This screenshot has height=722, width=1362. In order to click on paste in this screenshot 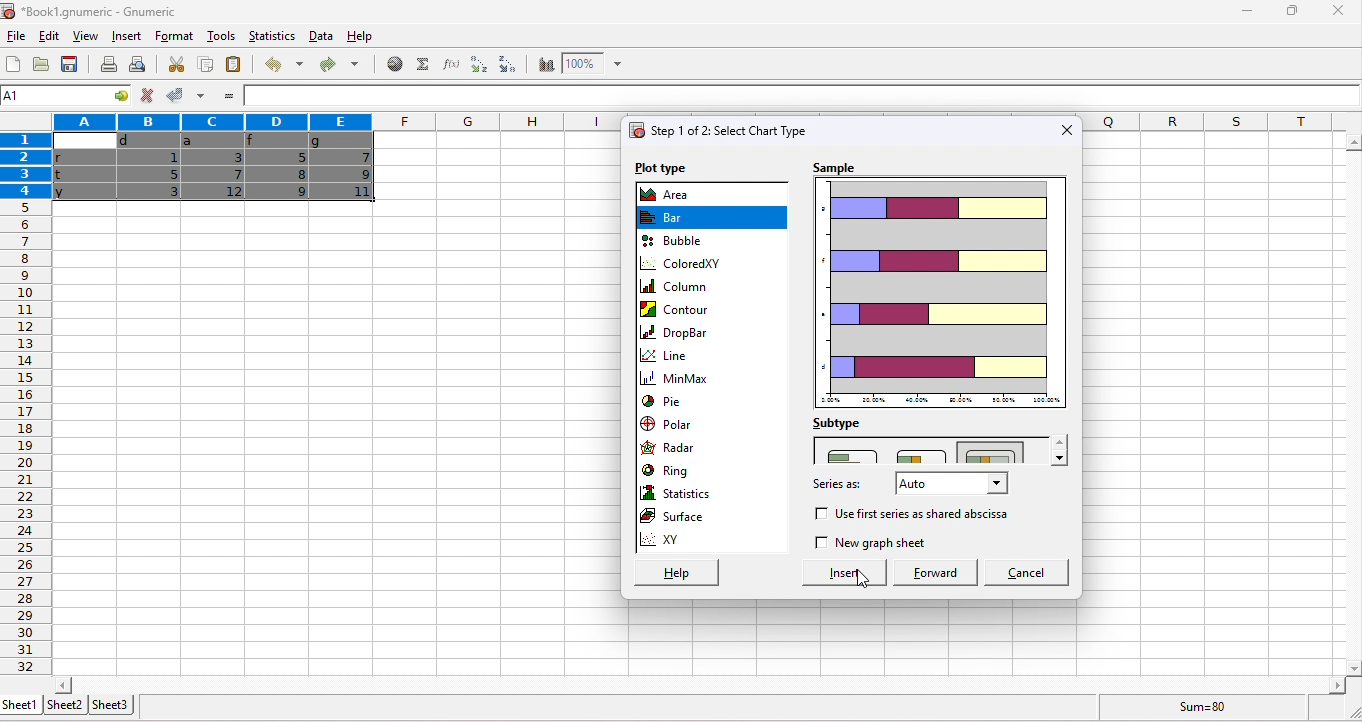, I will do `click(234, 63)`.